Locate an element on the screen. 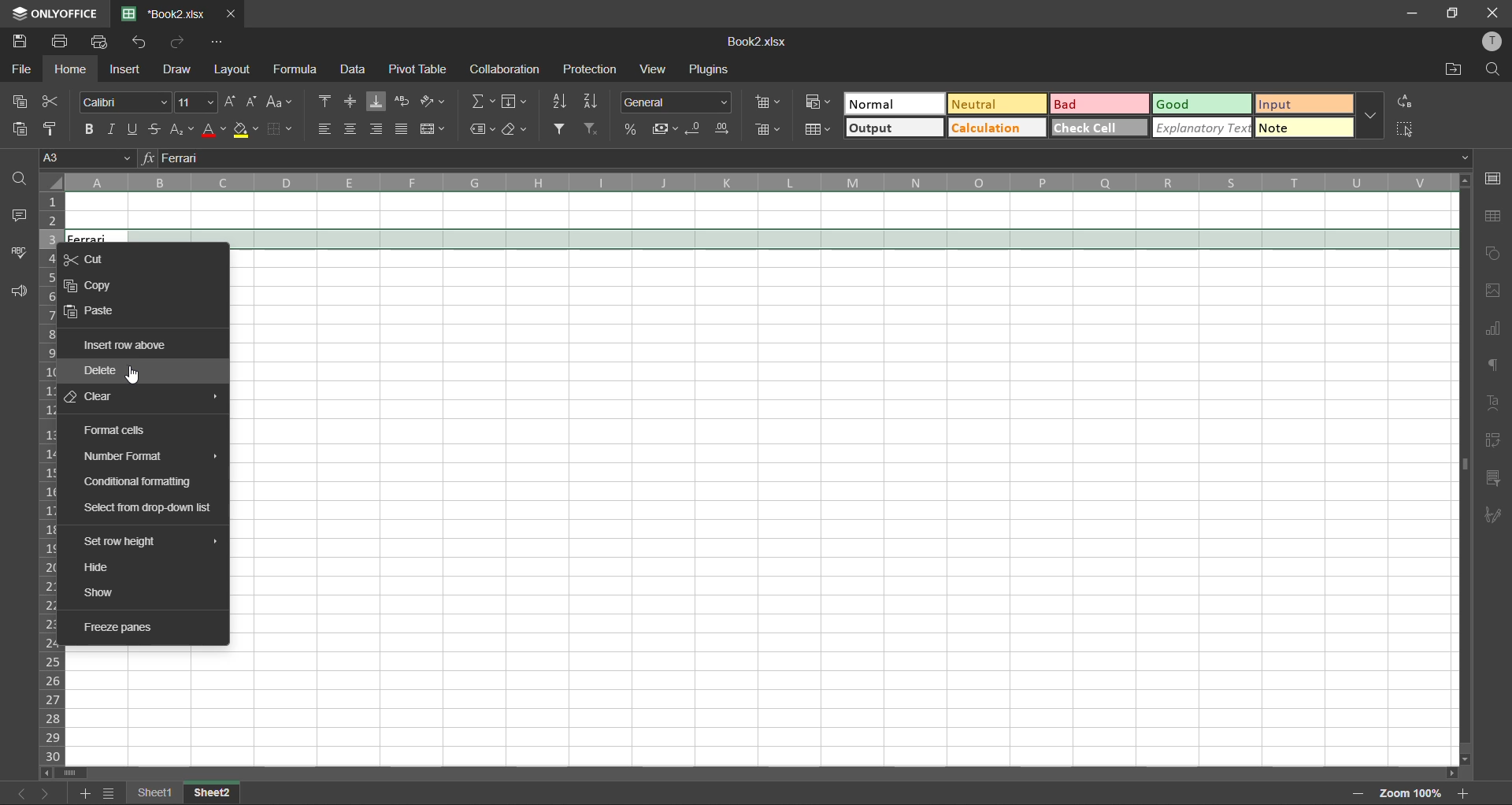 Image resolution: width=1512 pixels, height=805 pixels. merge and center is located at coordinates (437, 129).